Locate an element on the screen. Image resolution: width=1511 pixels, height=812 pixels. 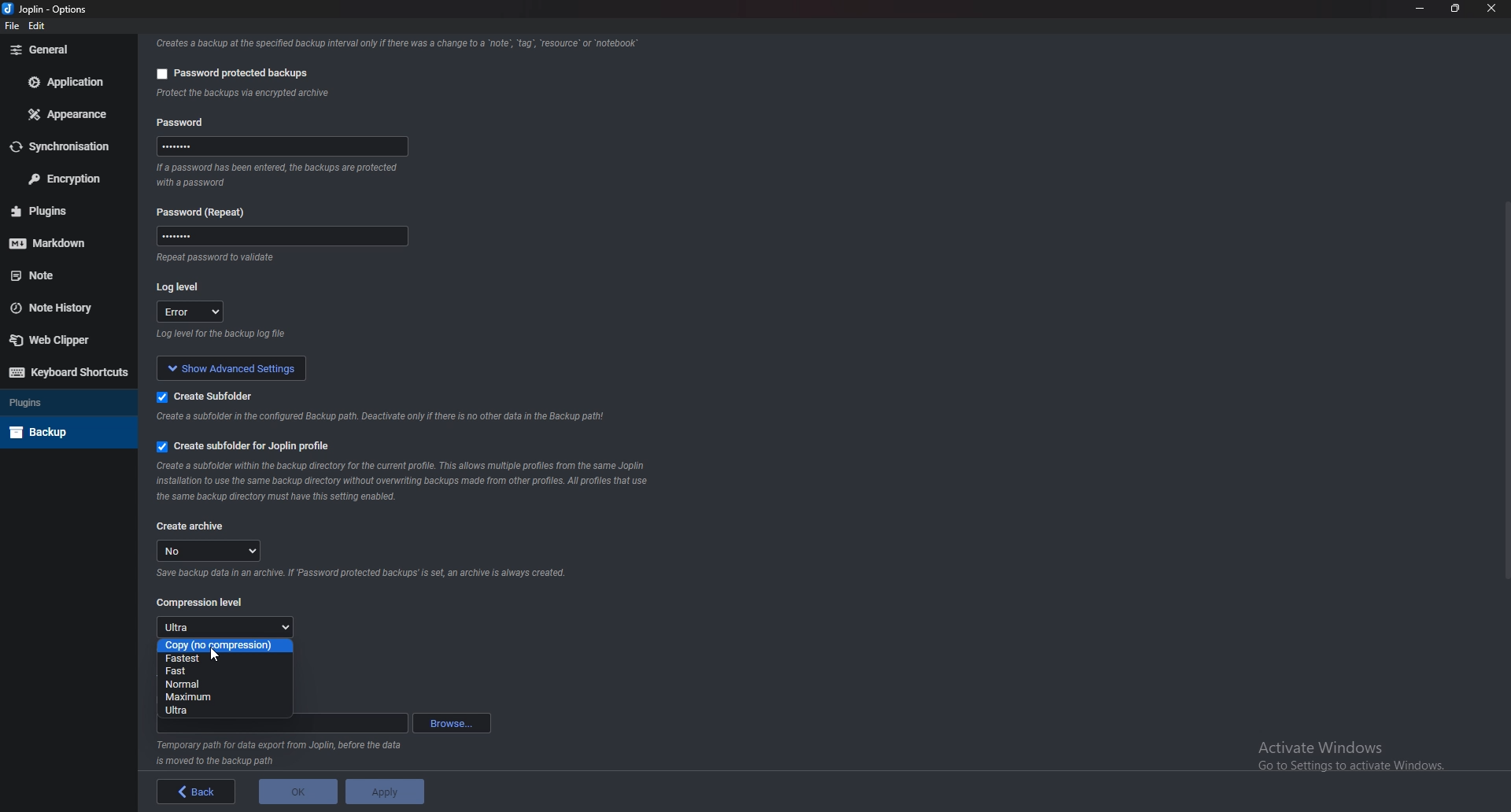
Application is located at coordinates (68, 83).